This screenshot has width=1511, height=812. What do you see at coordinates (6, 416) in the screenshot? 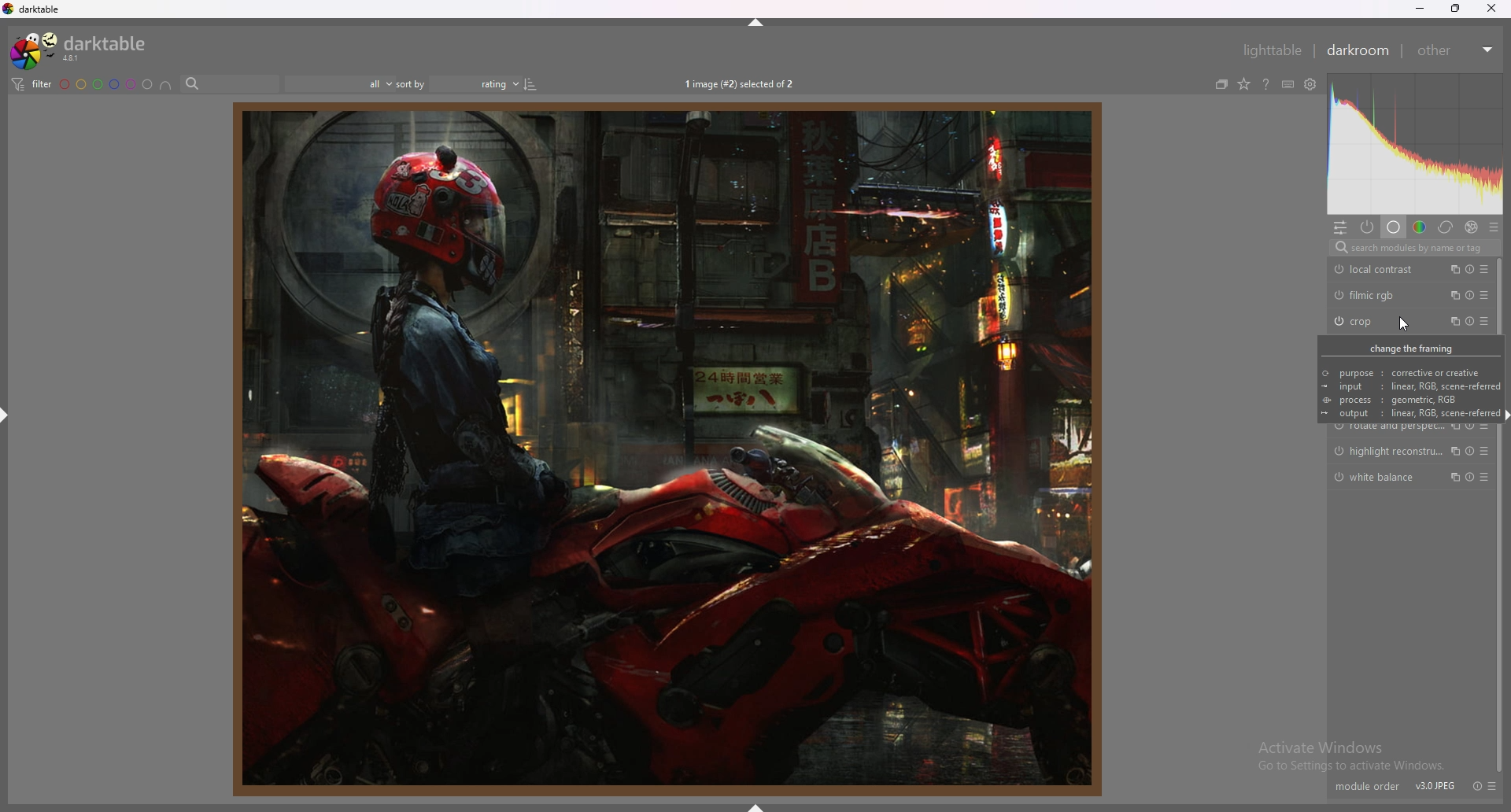
I see `hide` at bounding box center [6, 416].